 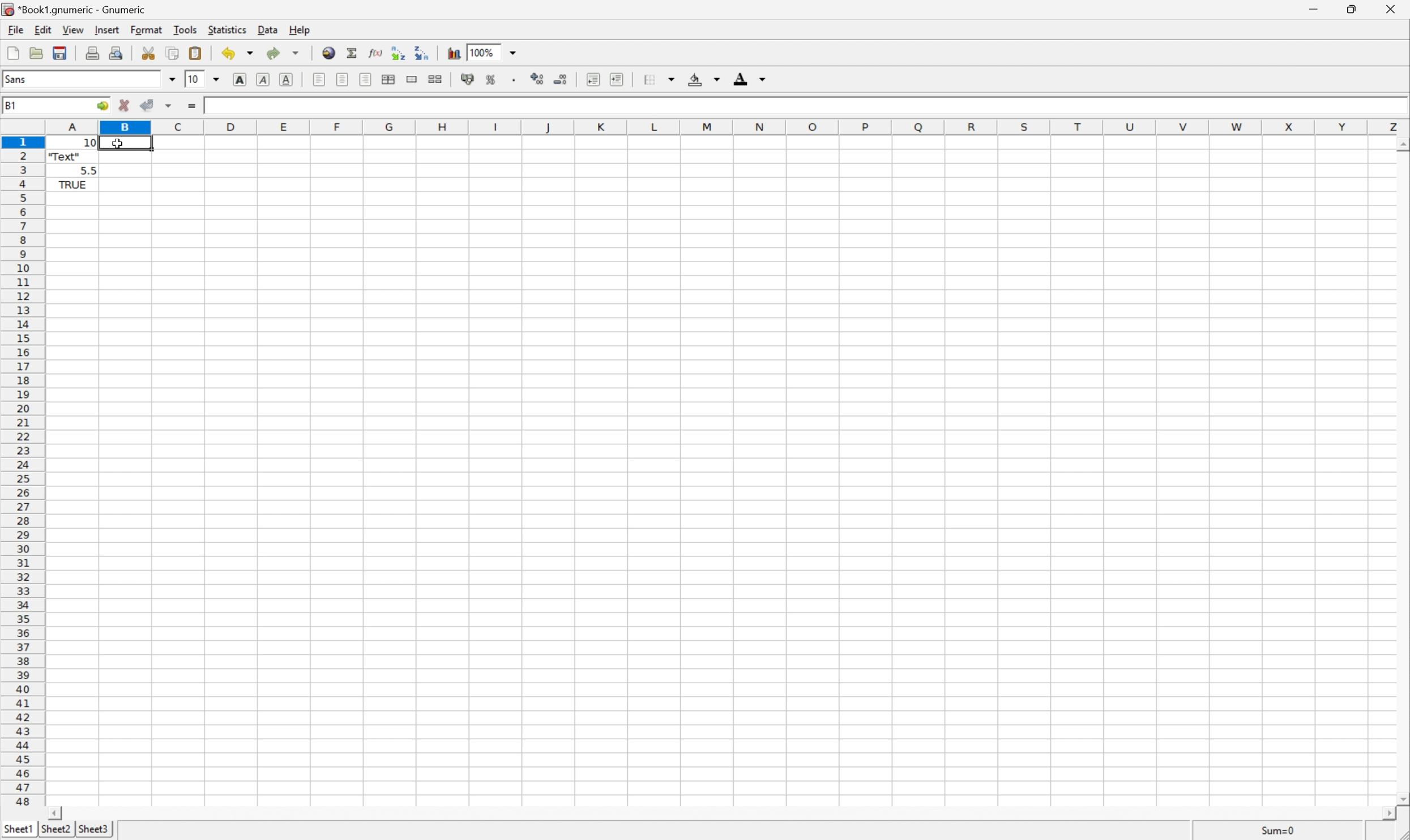 What do you see at coordinates (60, 52) in the screenshot?
I see `Save current workbook` at bounding box center [60, 52].